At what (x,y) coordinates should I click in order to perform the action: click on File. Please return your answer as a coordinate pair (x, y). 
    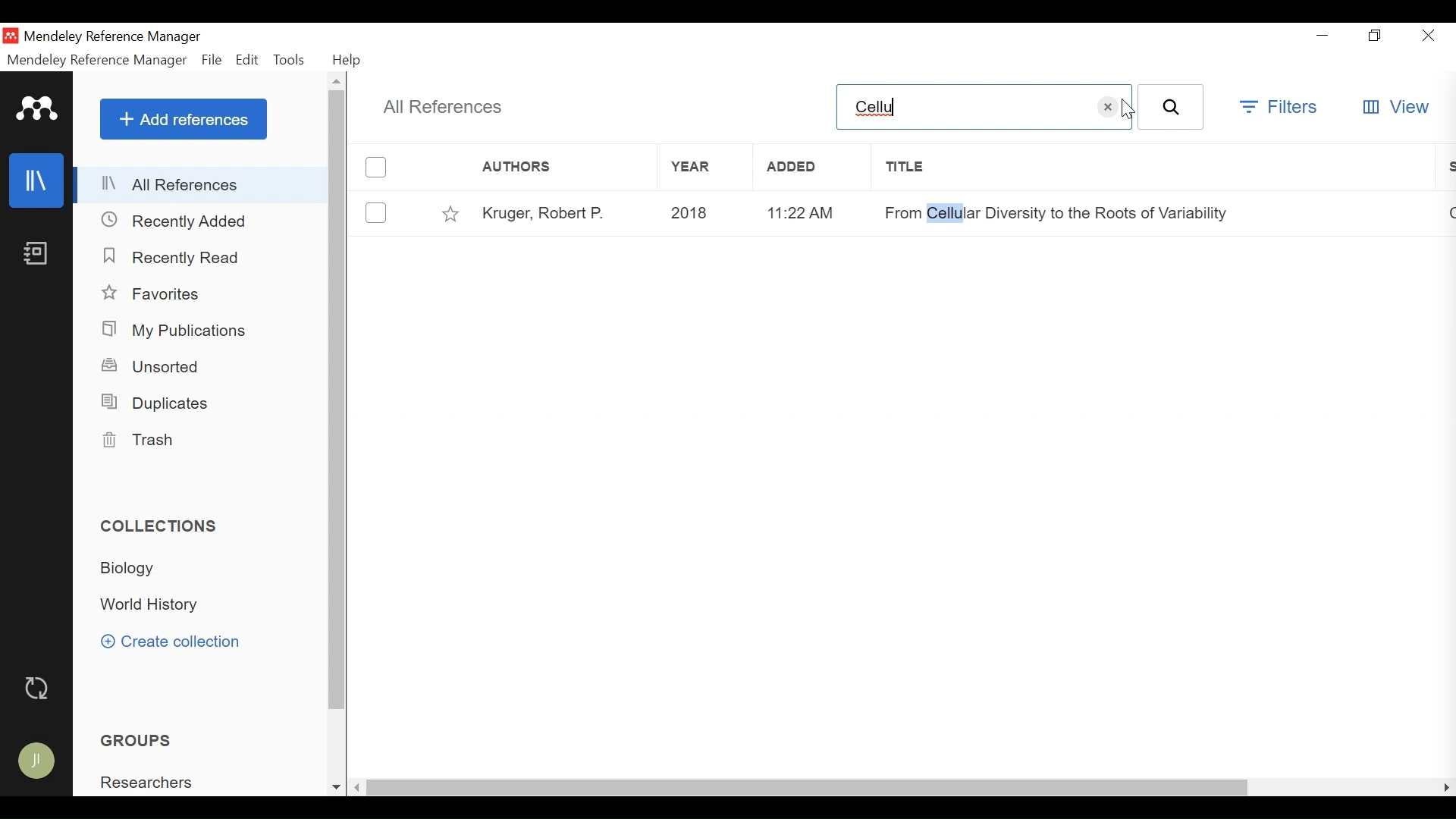
    Looking at the image, I should click on (212, 61).